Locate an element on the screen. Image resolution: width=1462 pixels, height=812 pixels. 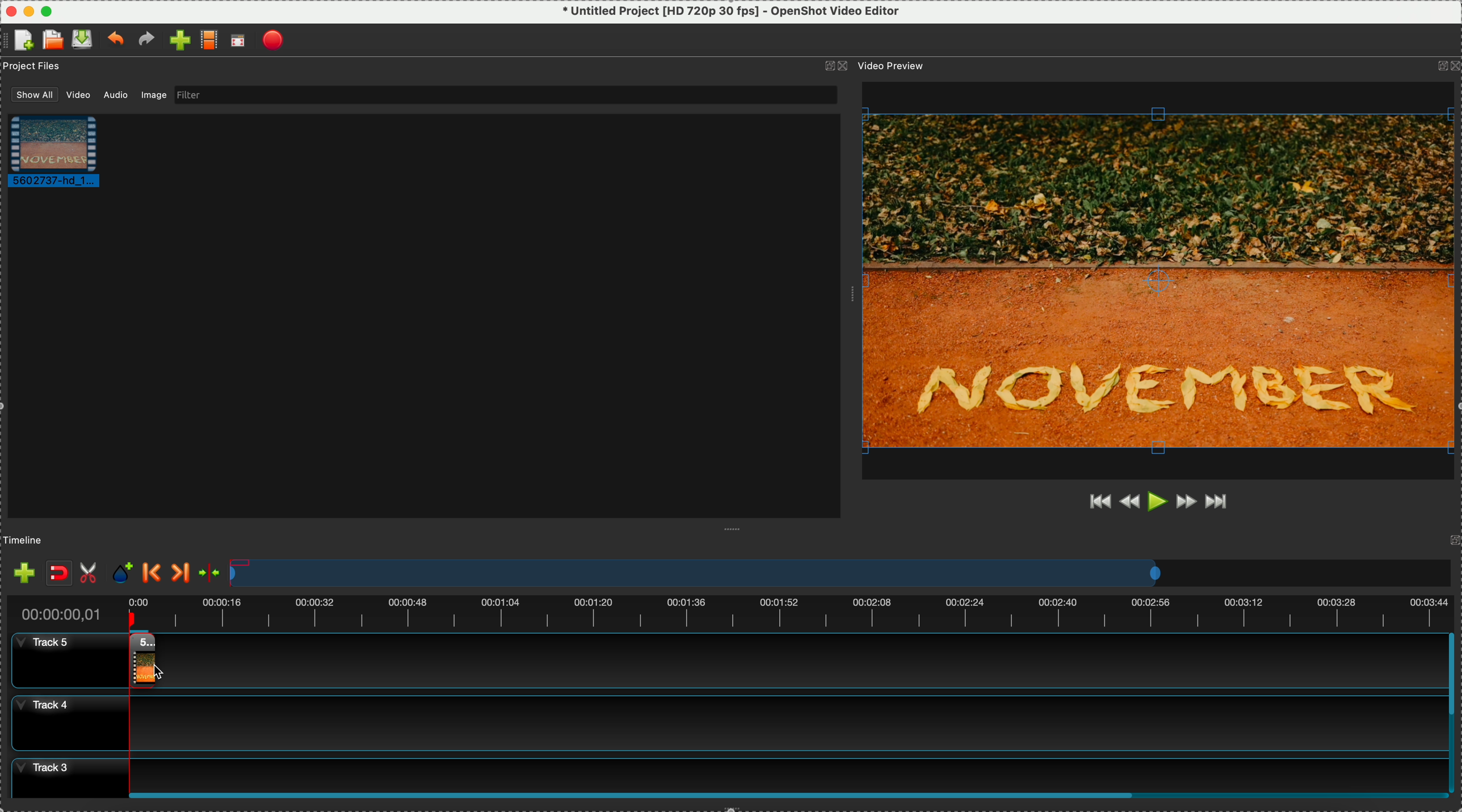
filter is located at coordinates (506, 95).